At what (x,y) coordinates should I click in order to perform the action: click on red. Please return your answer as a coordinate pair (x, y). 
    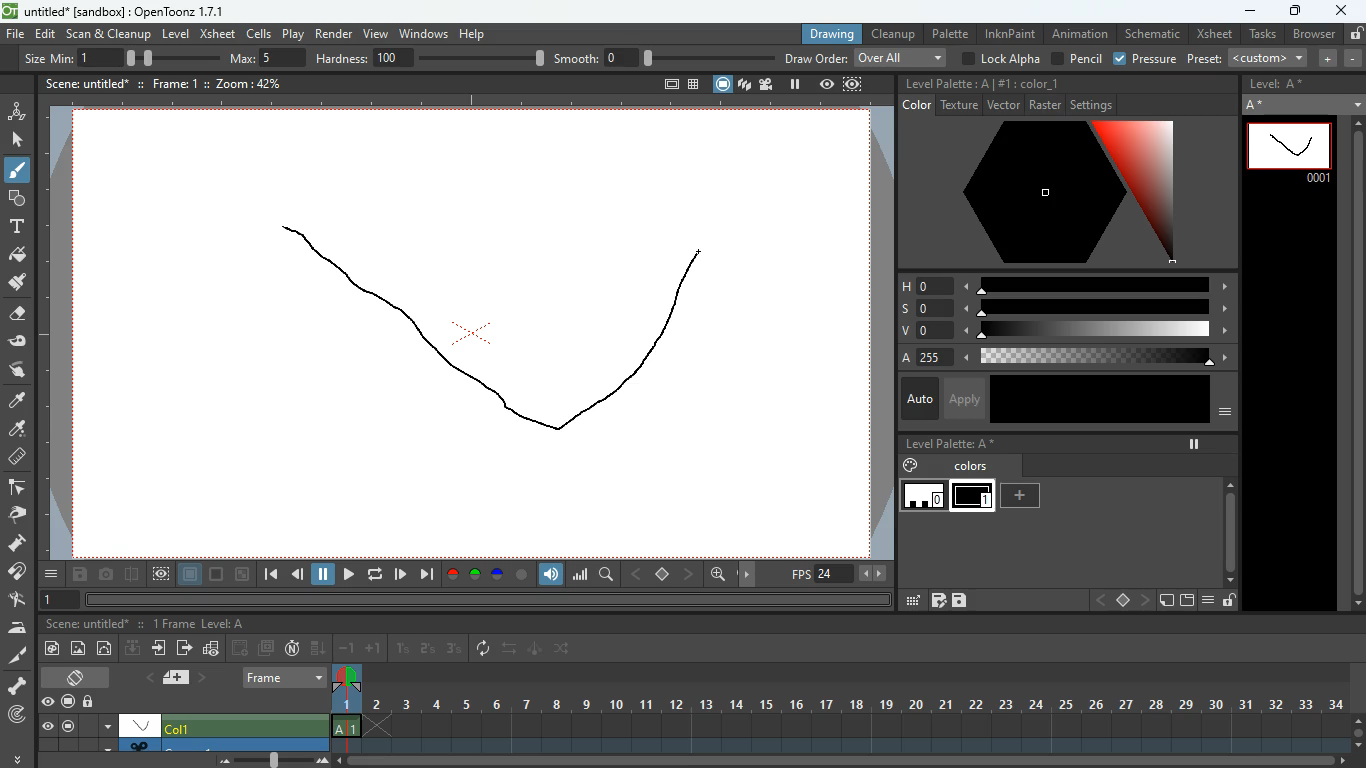
    Looking at the image, I should click on (452, 575).